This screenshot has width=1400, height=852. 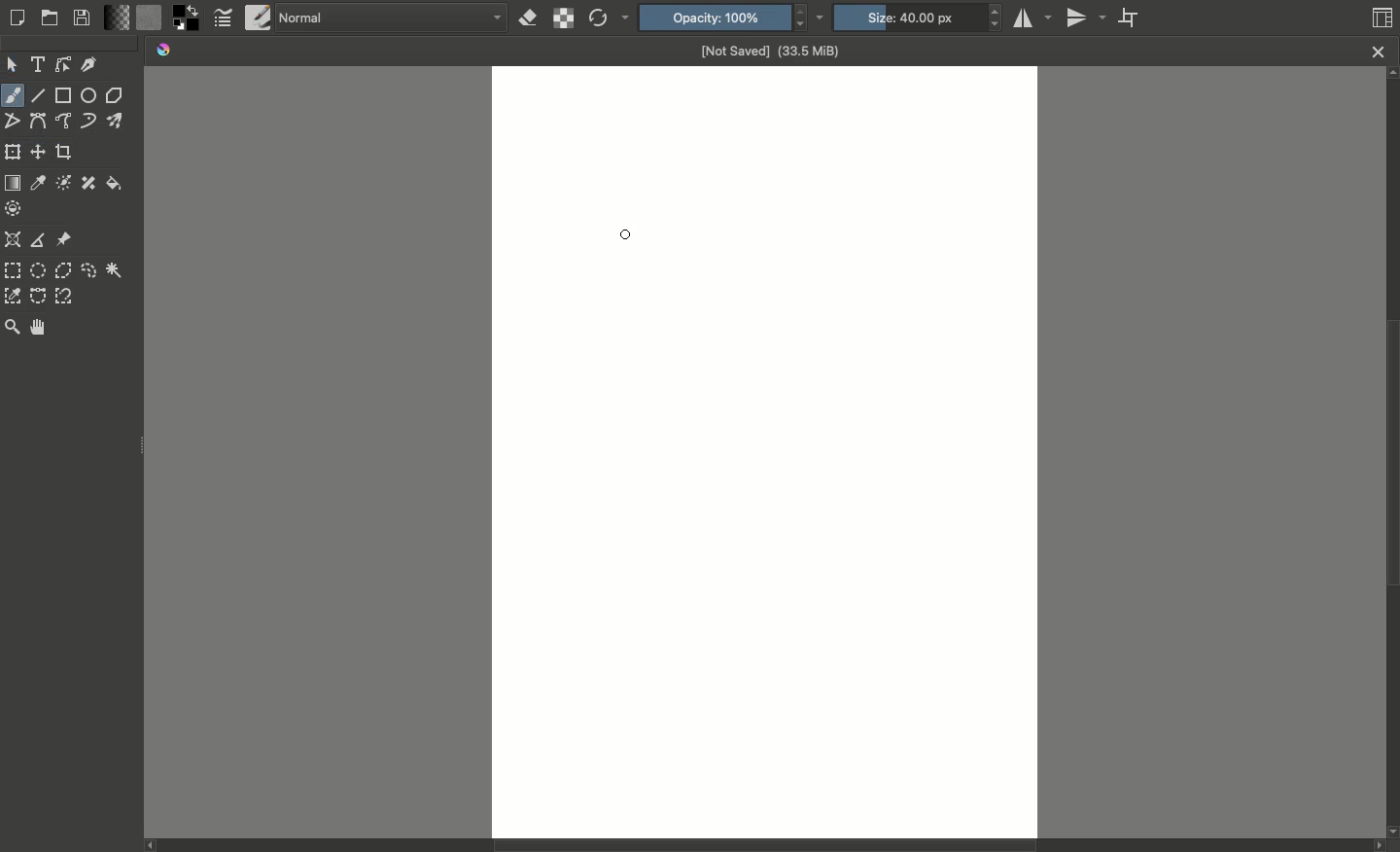 I want to click on Multibrush tool, so click(x=118, y=121).